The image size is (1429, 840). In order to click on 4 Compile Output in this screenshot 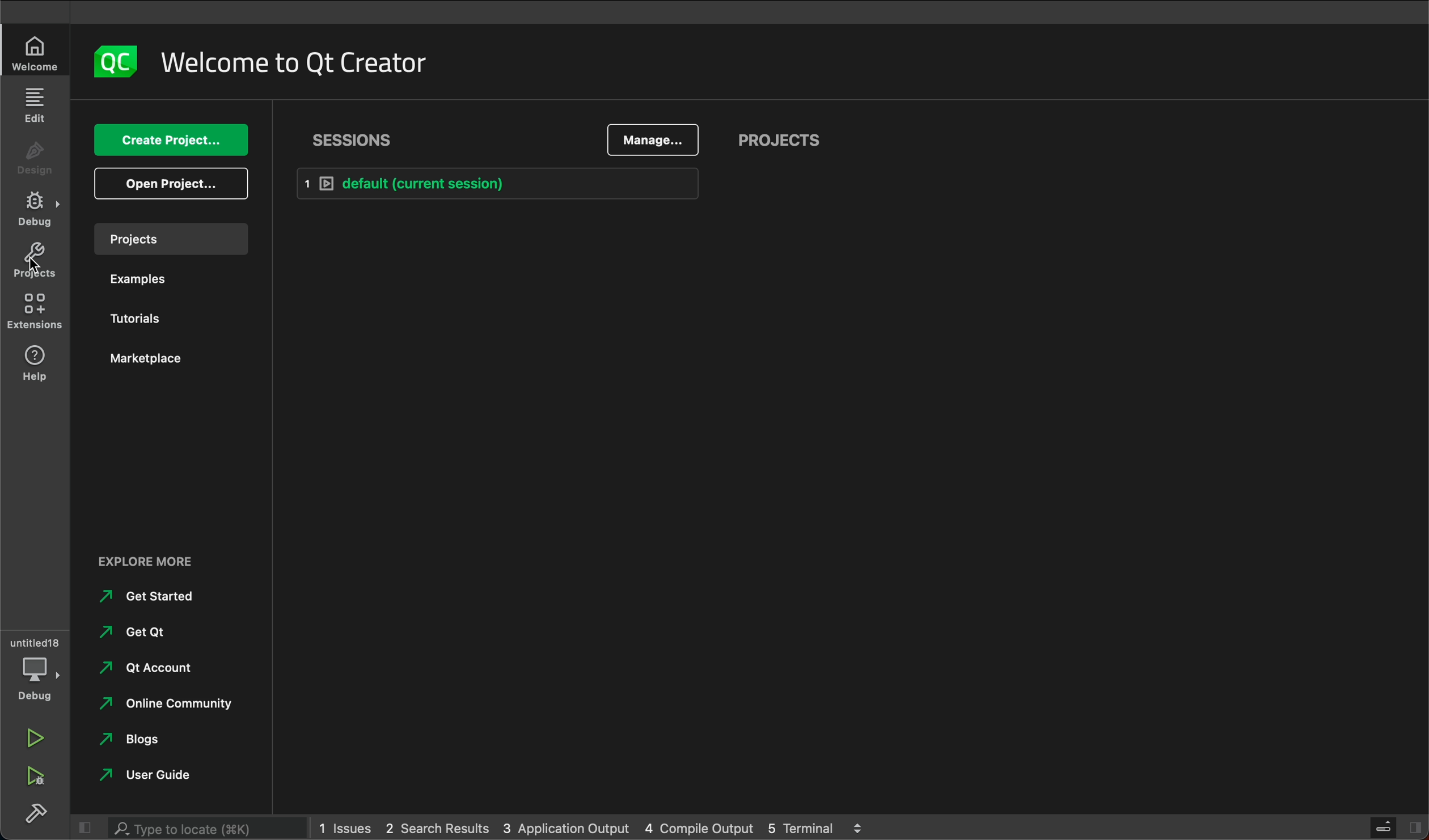, I will do `click(697, 826)`.